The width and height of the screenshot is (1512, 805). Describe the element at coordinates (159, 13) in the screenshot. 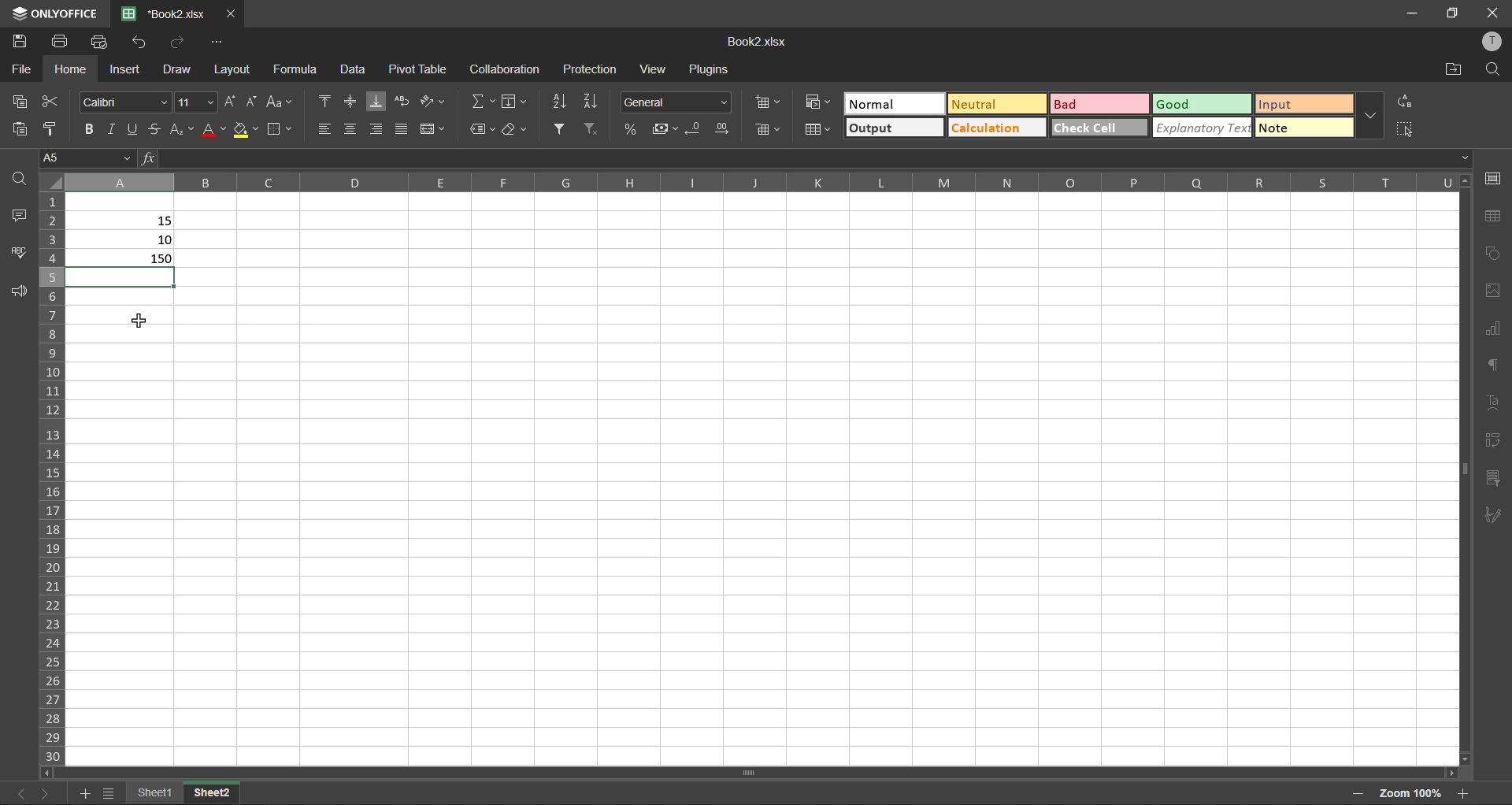

I see `book2.xlsx` at that location.